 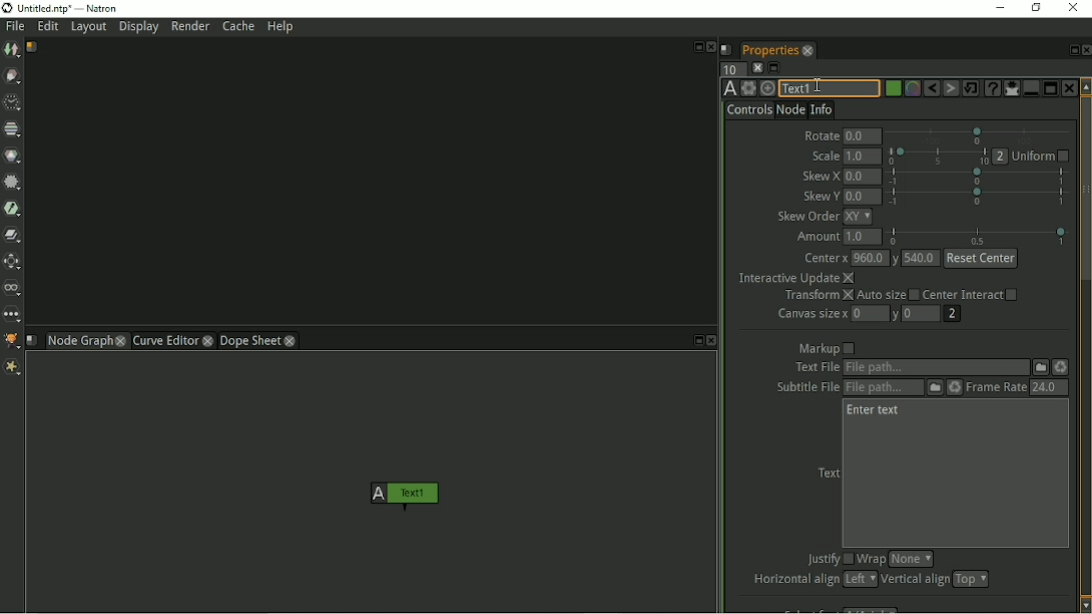 I want to click on Script, so click(x=727, y=49).